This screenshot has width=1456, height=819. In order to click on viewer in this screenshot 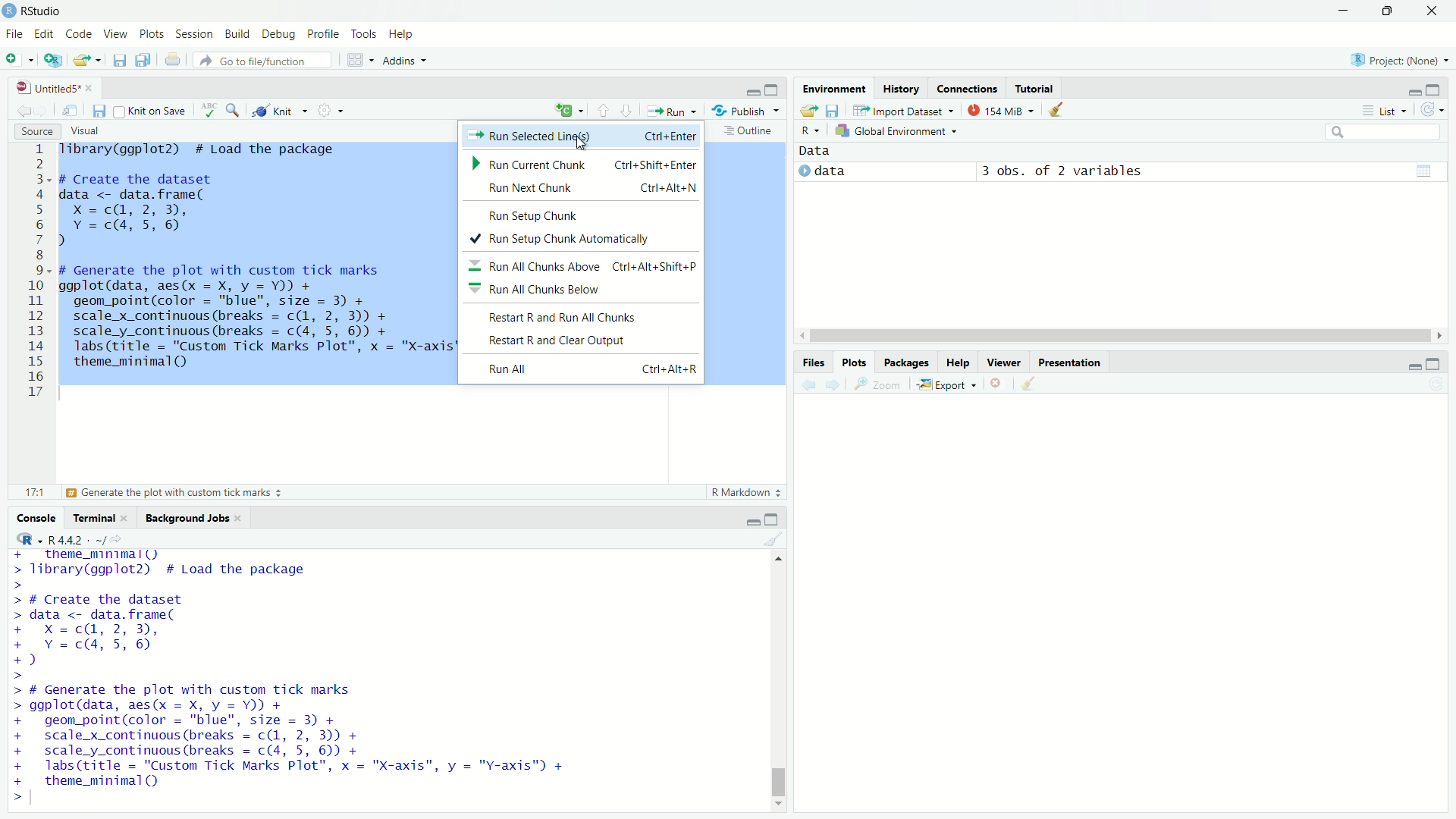, I will do `click(1005, 361)`.